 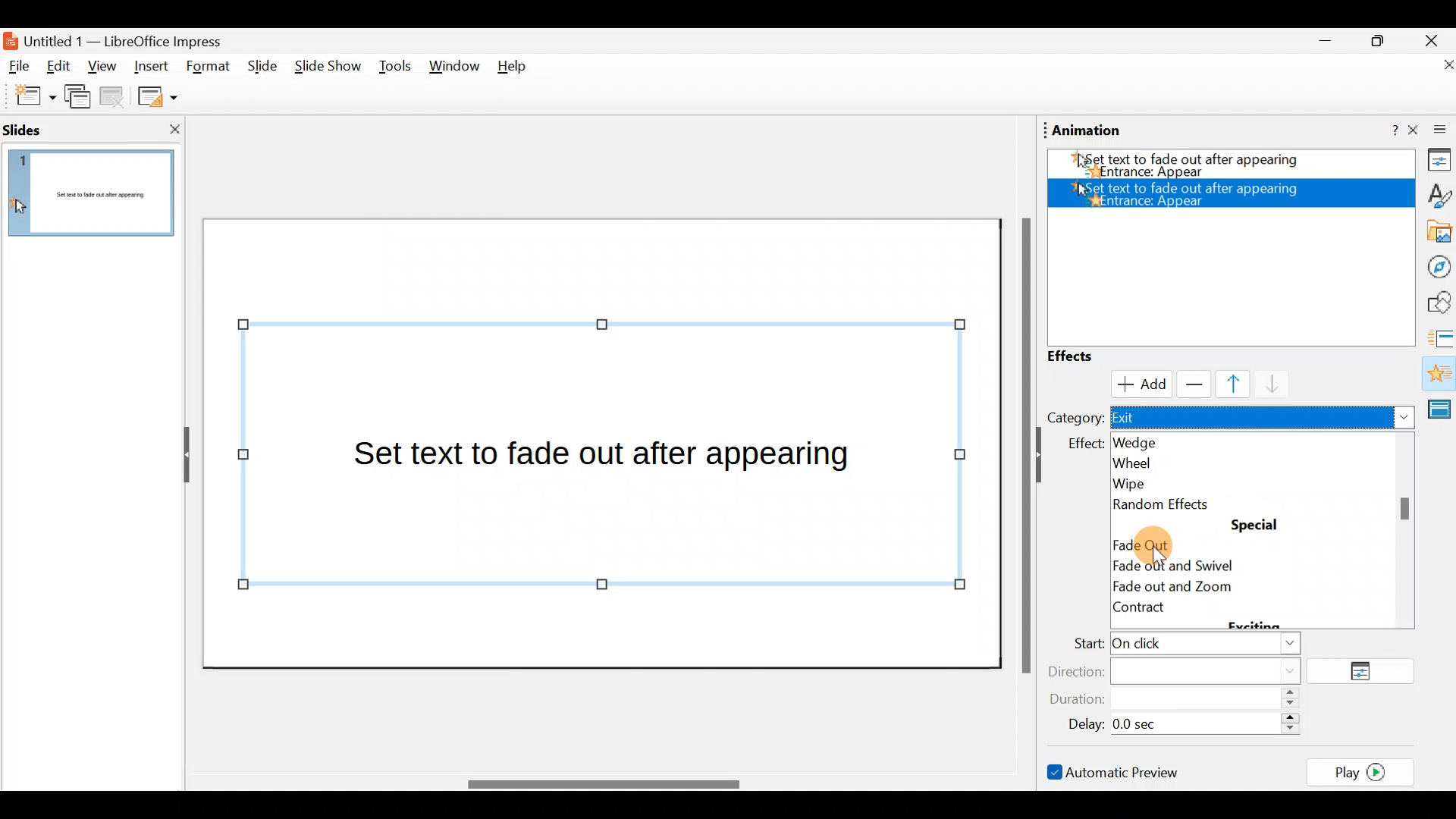 I want to click on Circle, so click(x=1170, y=567).